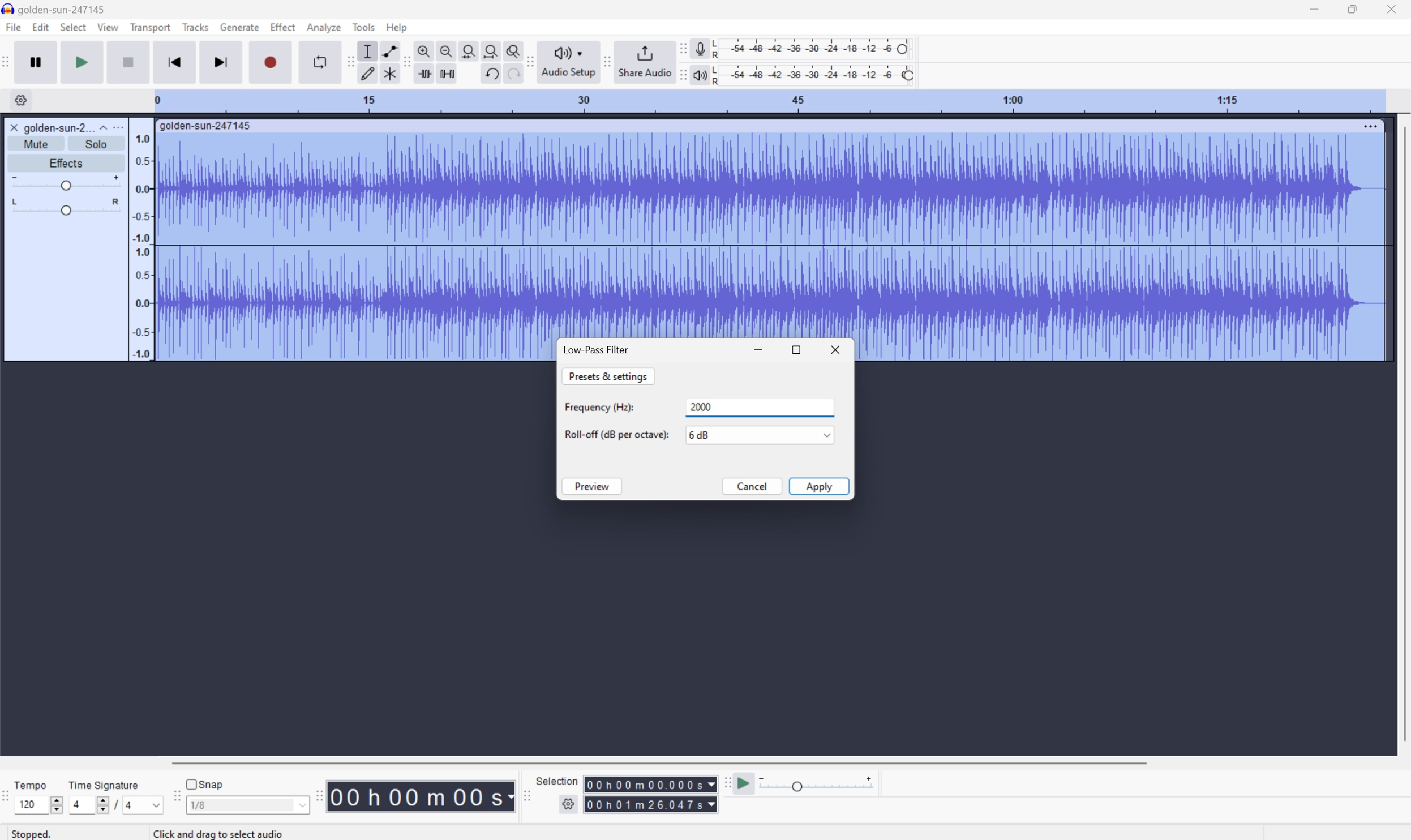 The height and width of the screenshot is (840, 1411). I want to click on Draw tool, so click(368, 75).